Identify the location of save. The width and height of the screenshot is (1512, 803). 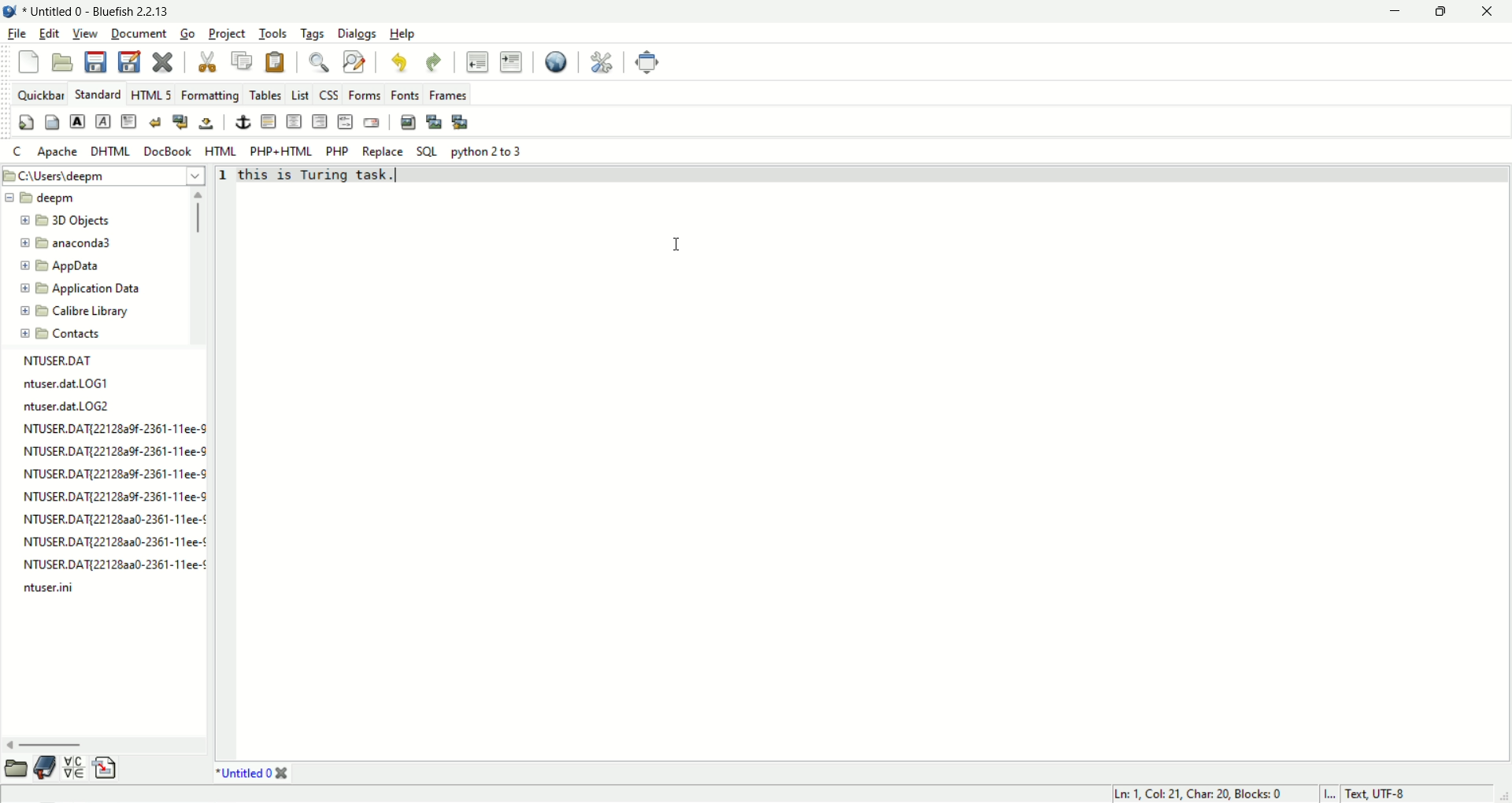
(94, 61).